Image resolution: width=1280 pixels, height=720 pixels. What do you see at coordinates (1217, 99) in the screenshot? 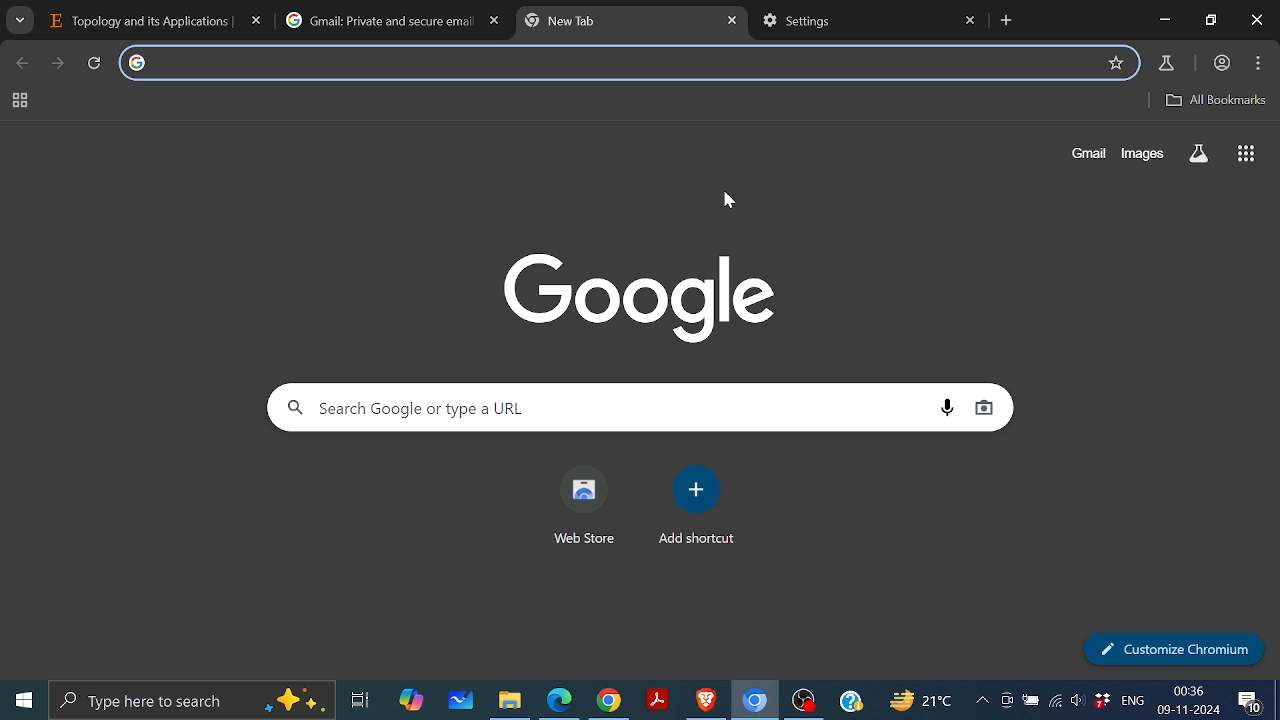
I see `All bookmarks` at bounding box center [1217, 99].